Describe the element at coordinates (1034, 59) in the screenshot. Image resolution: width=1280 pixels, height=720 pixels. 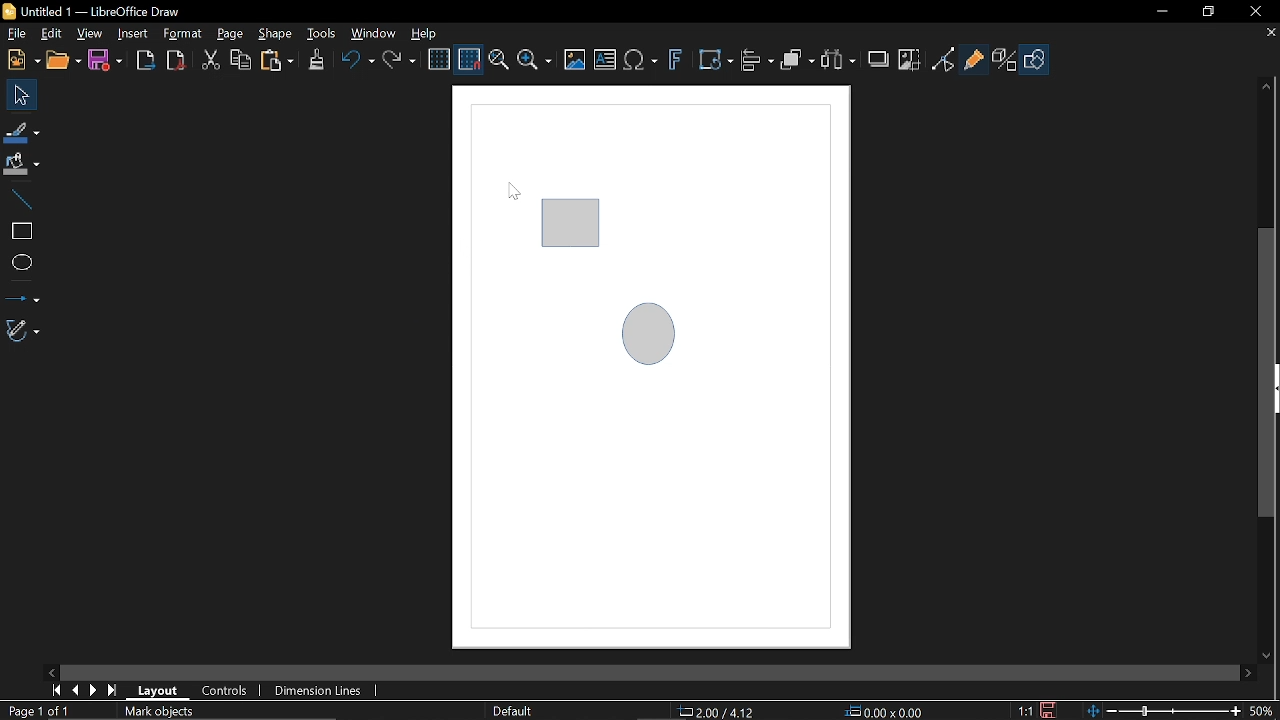
I see `Shapes` at that location.